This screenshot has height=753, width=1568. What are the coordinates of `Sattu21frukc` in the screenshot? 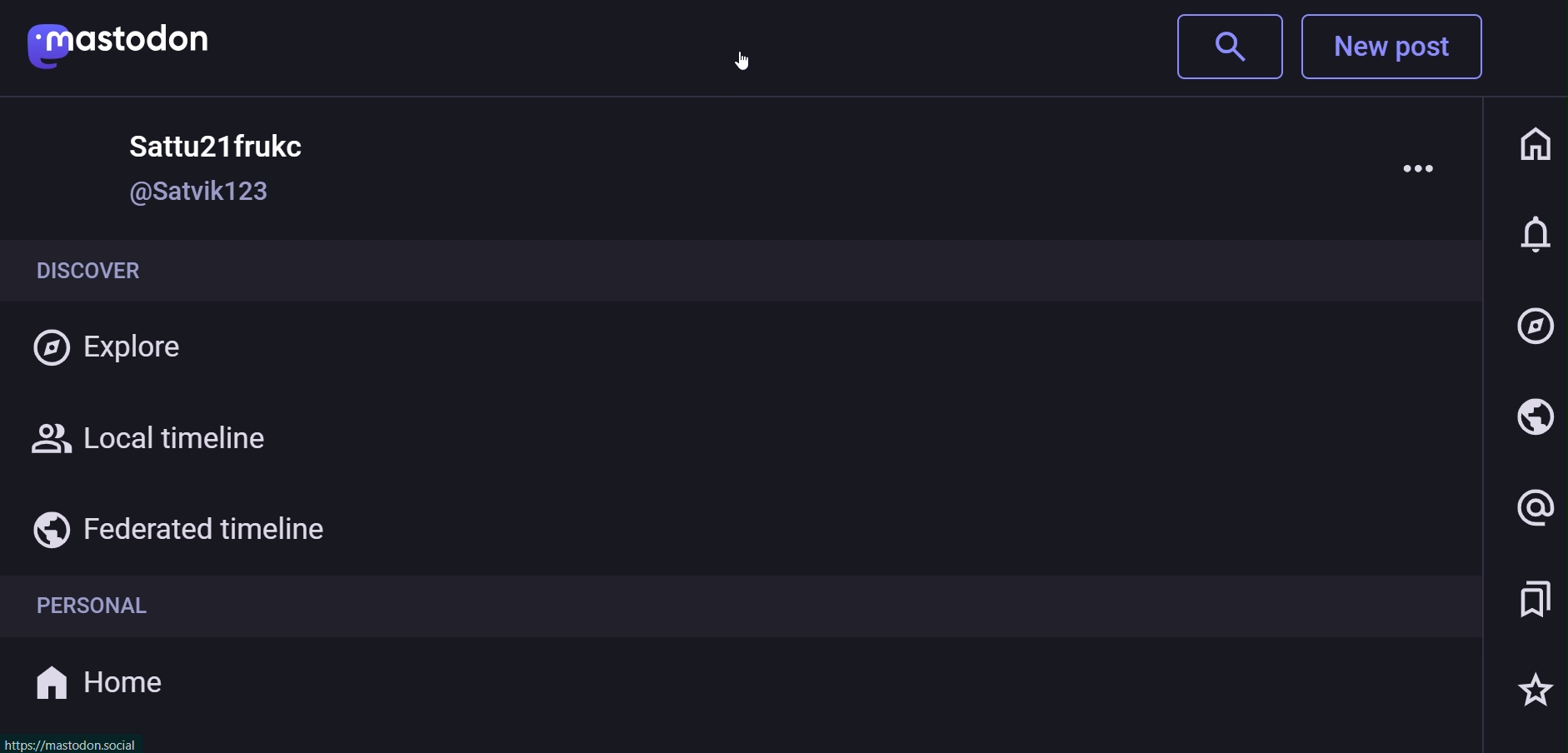 It's located at (204, 142).